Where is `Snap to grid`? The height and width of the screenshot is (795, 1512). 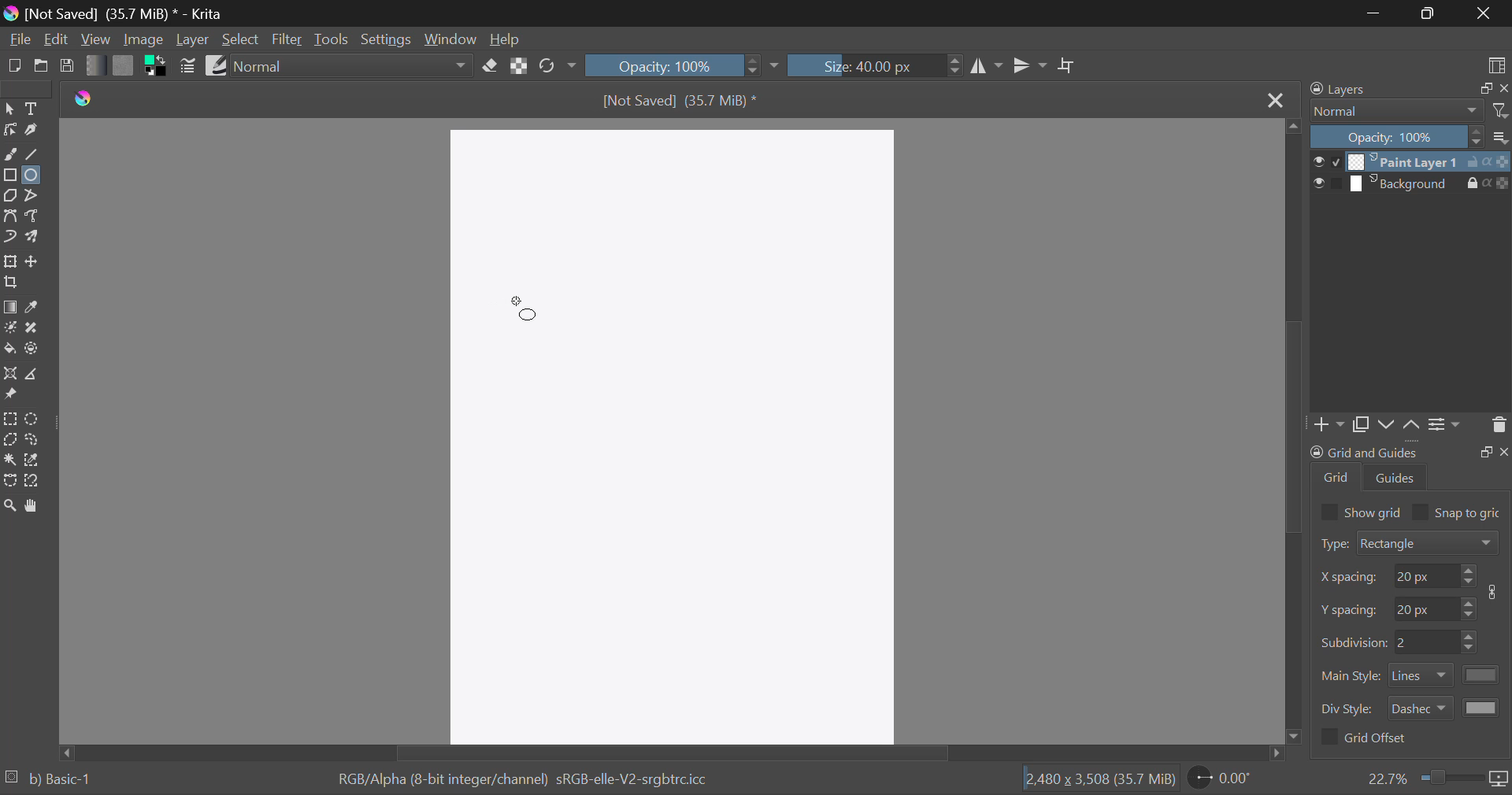
Snap to grid is located at coordinates (1460, 511).